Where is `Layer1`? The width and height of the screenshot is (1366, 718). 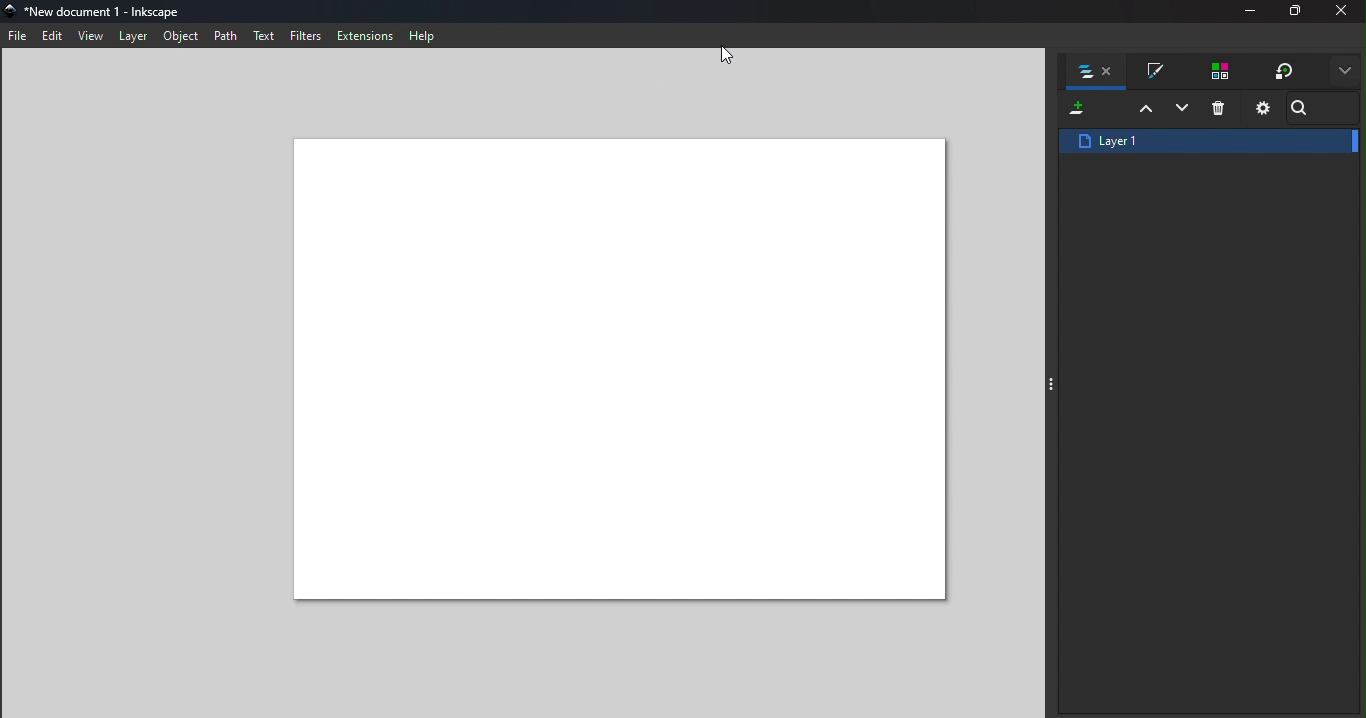
Layer1 is located at coordinates (1209, 144).